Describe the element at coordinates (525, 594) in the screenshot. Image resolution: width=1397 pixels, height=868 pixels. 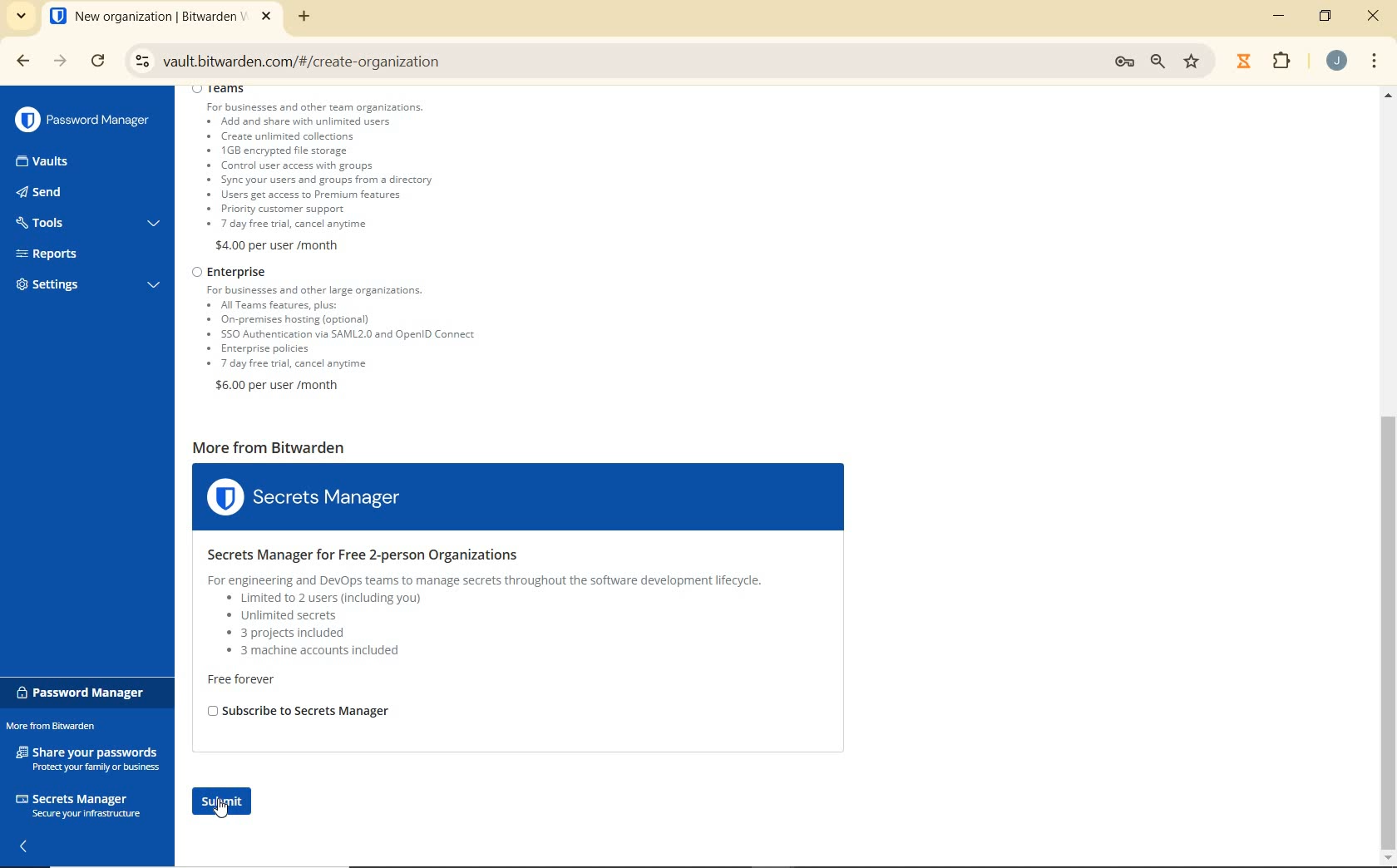
I see `More from Bitwarden` at that location.